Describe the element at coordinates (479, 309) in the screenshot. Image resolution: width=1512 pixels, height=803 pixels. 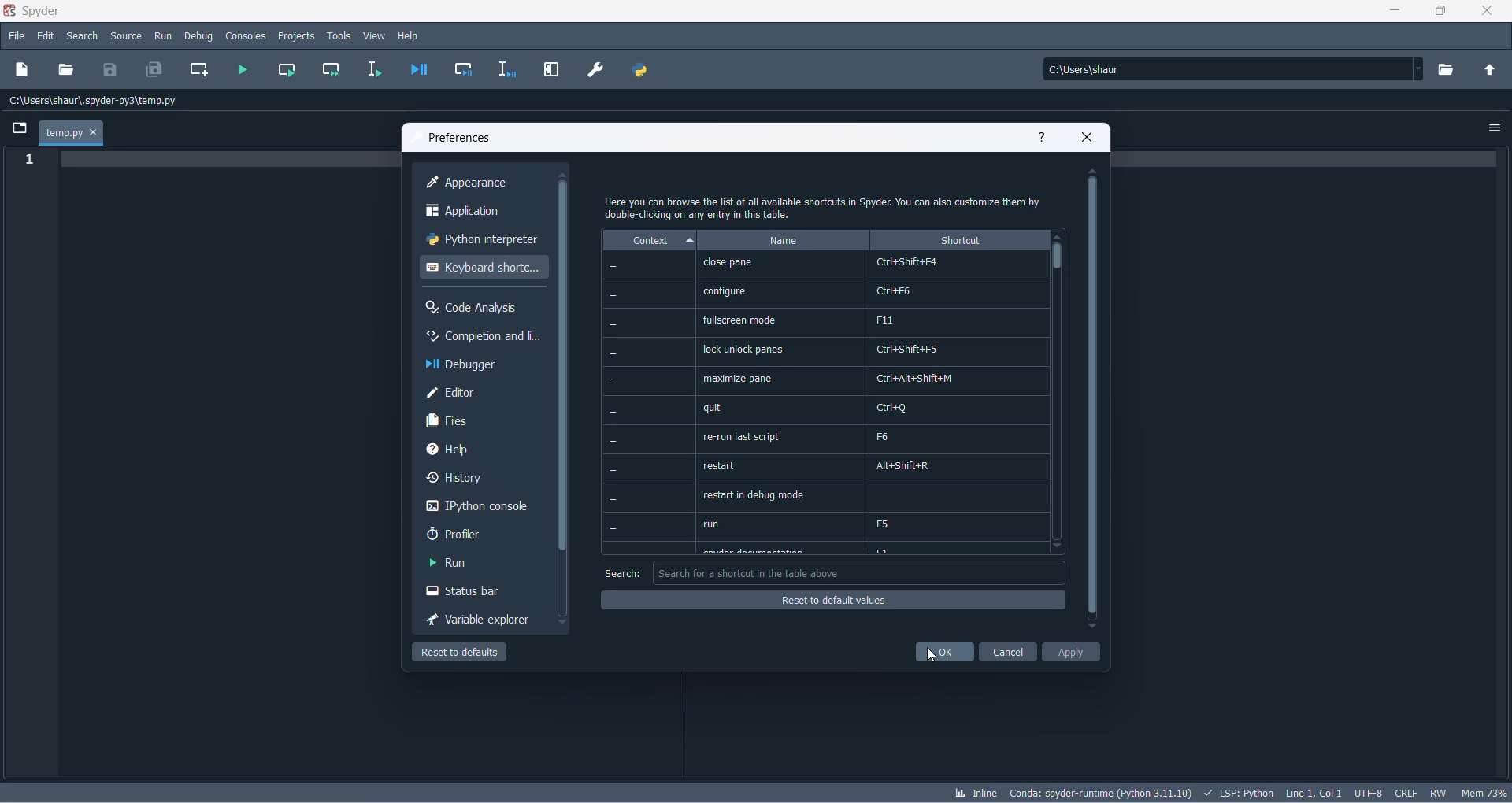
I see `code analysis` at that location.